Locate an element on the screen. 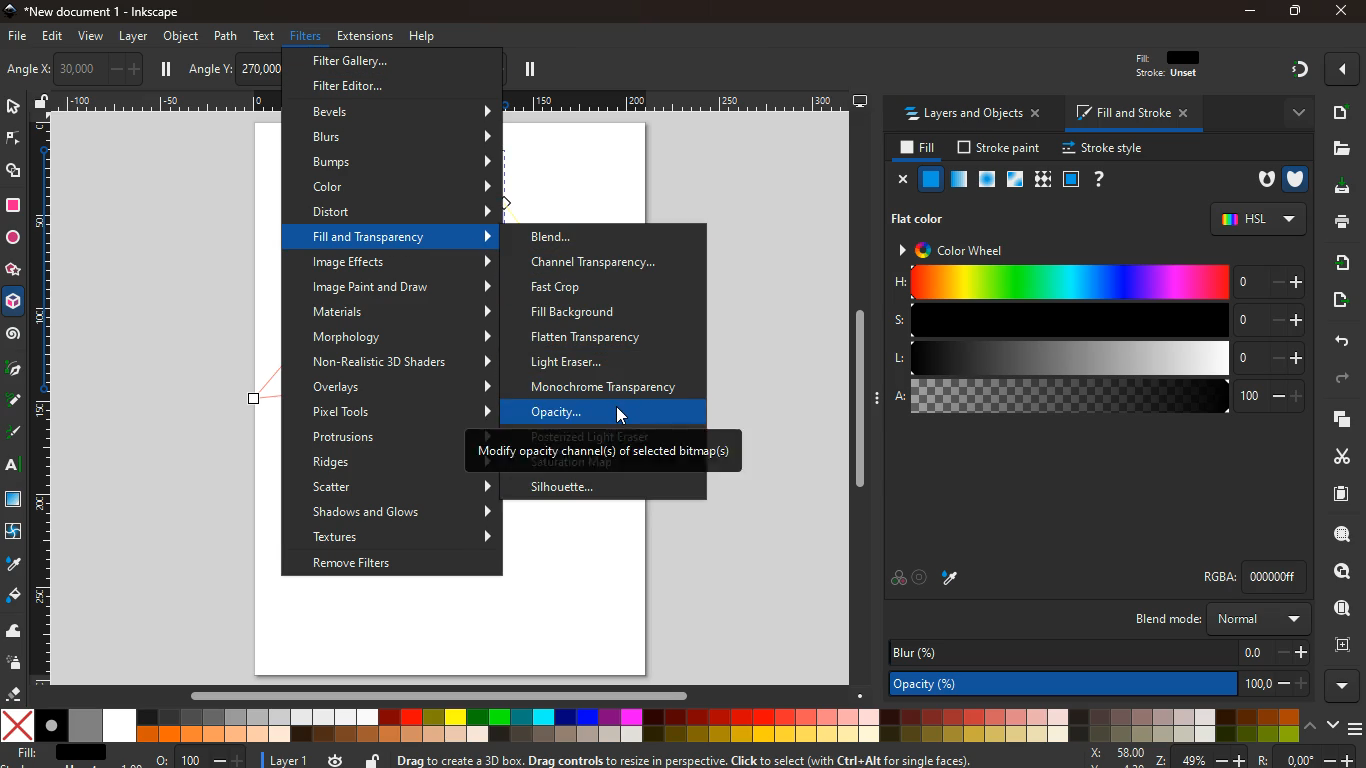 Image resolution: width=1366 pixels, height=768 pixels. unlock is located at coordinates (42, 103).